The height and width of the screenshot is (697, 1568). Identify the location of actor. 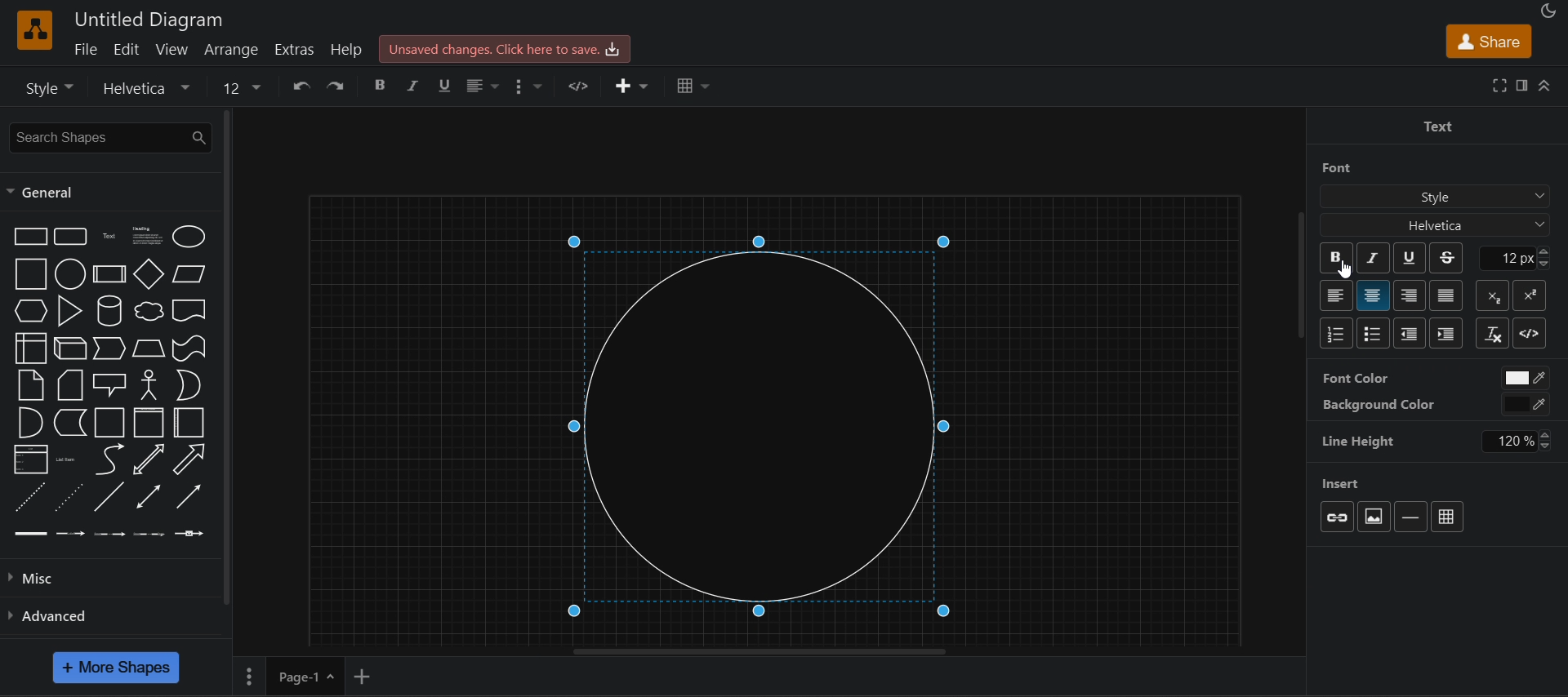
(151, 387).